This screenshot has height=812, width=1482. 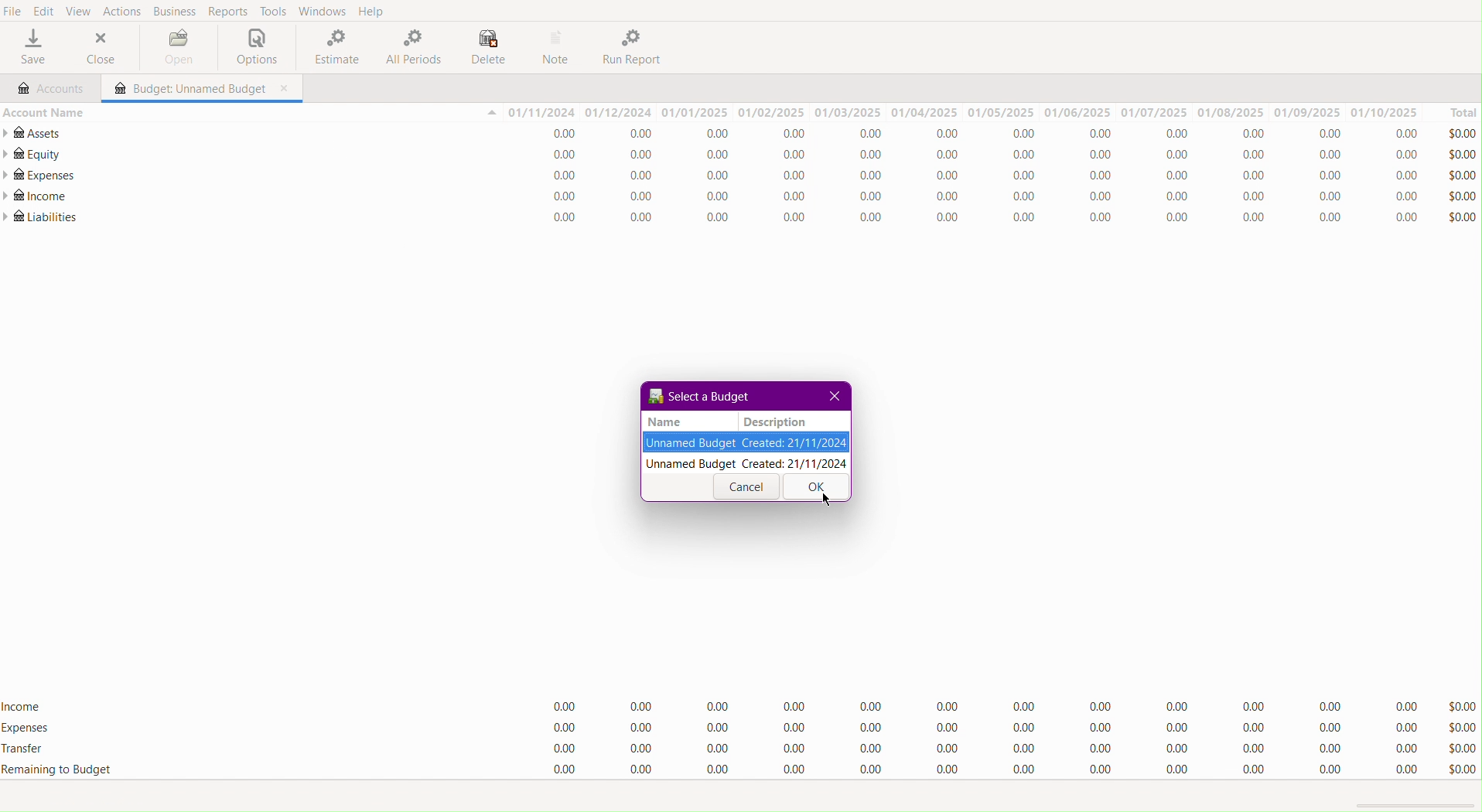 I want to click on Liabilities, so click(x=42, y=217).